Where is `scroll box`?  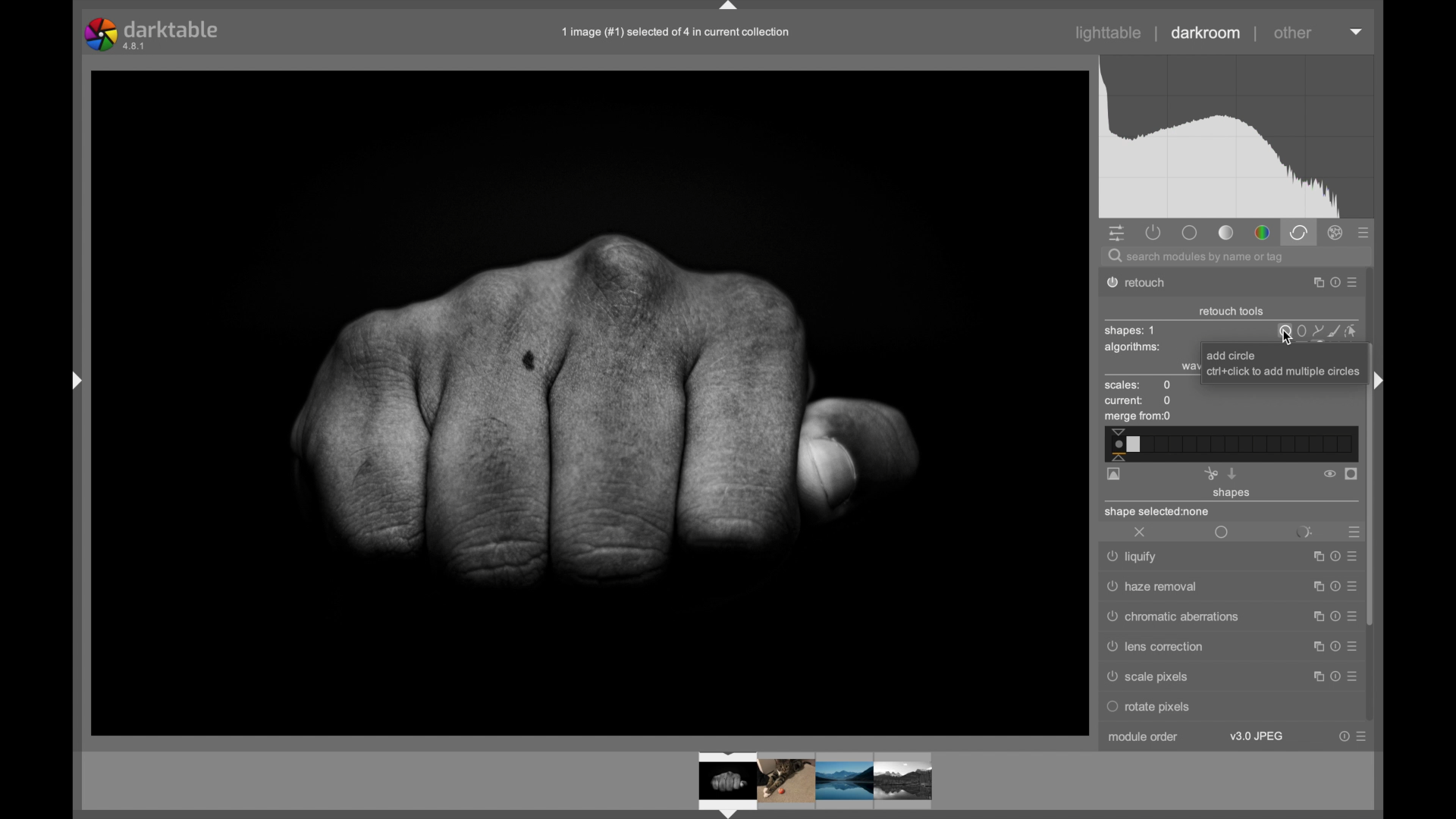 scroll box is located at coordinates (1371, 483).